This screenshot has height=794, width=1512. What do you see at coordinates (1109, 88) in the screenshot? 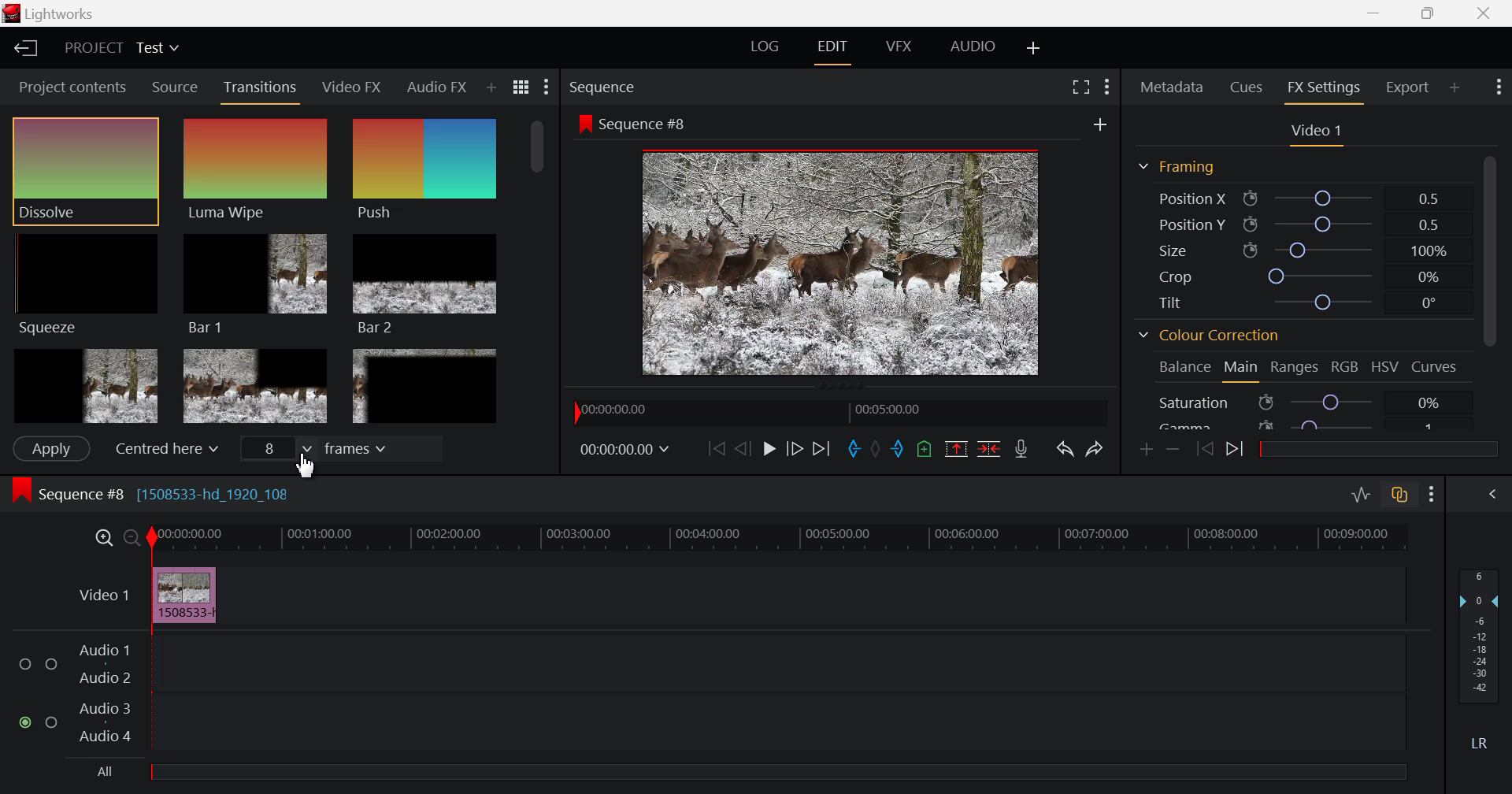
I see `show Settings` at bounding box center [1109, 88].